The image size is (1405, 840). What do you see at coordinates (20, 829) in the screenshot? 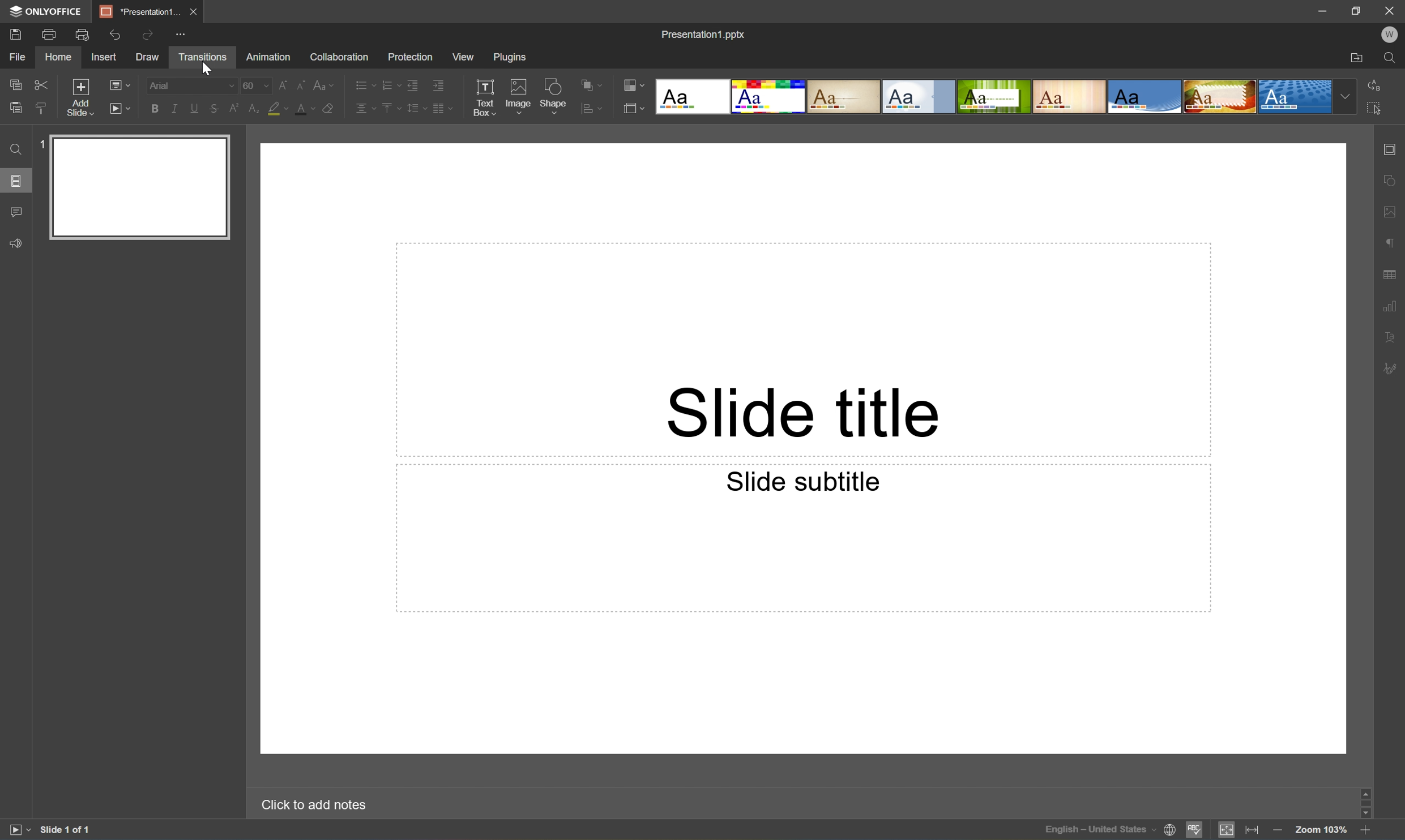
I see `Start slideshow` at bounding box center [20, 829].